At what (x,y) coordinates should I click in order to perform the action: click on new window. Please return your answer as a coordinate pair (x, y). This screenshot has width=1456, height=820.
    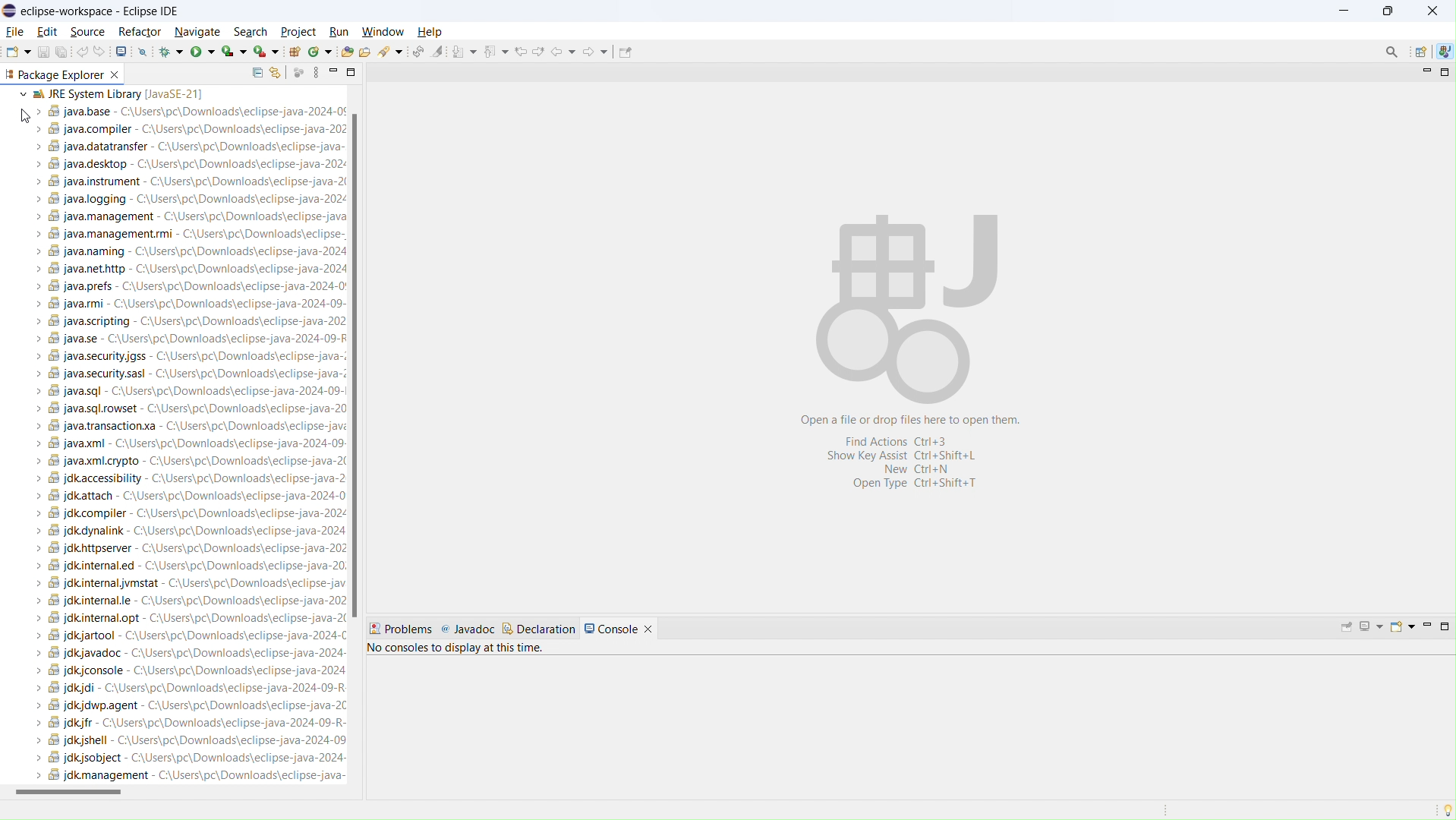
    Looking at the image, I should click on (265, 52).